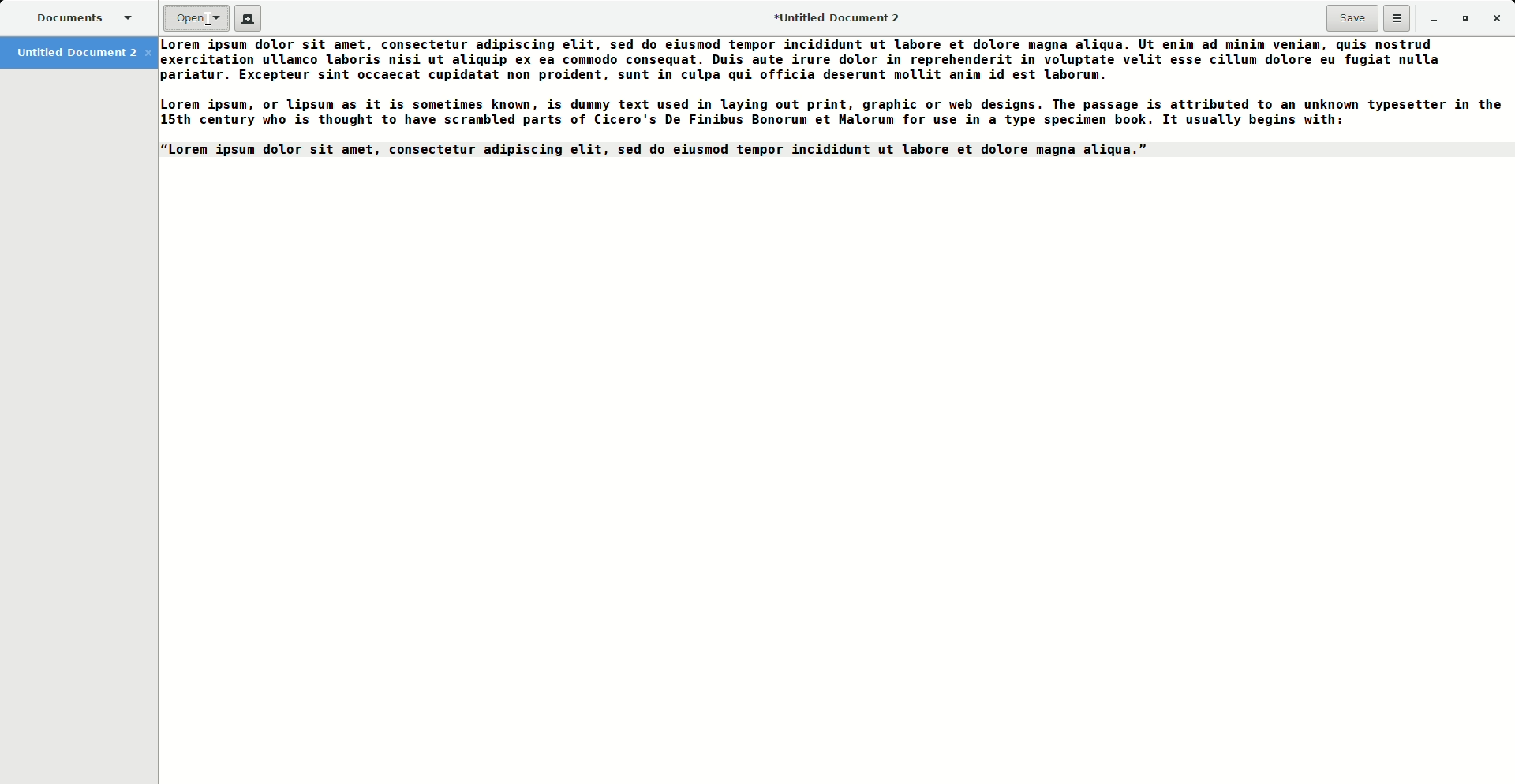 The height and width of the screenshot is (784, 1515). Describe the element at coordinates (1352, 18) in the screenshot. I see `Save` at that location.